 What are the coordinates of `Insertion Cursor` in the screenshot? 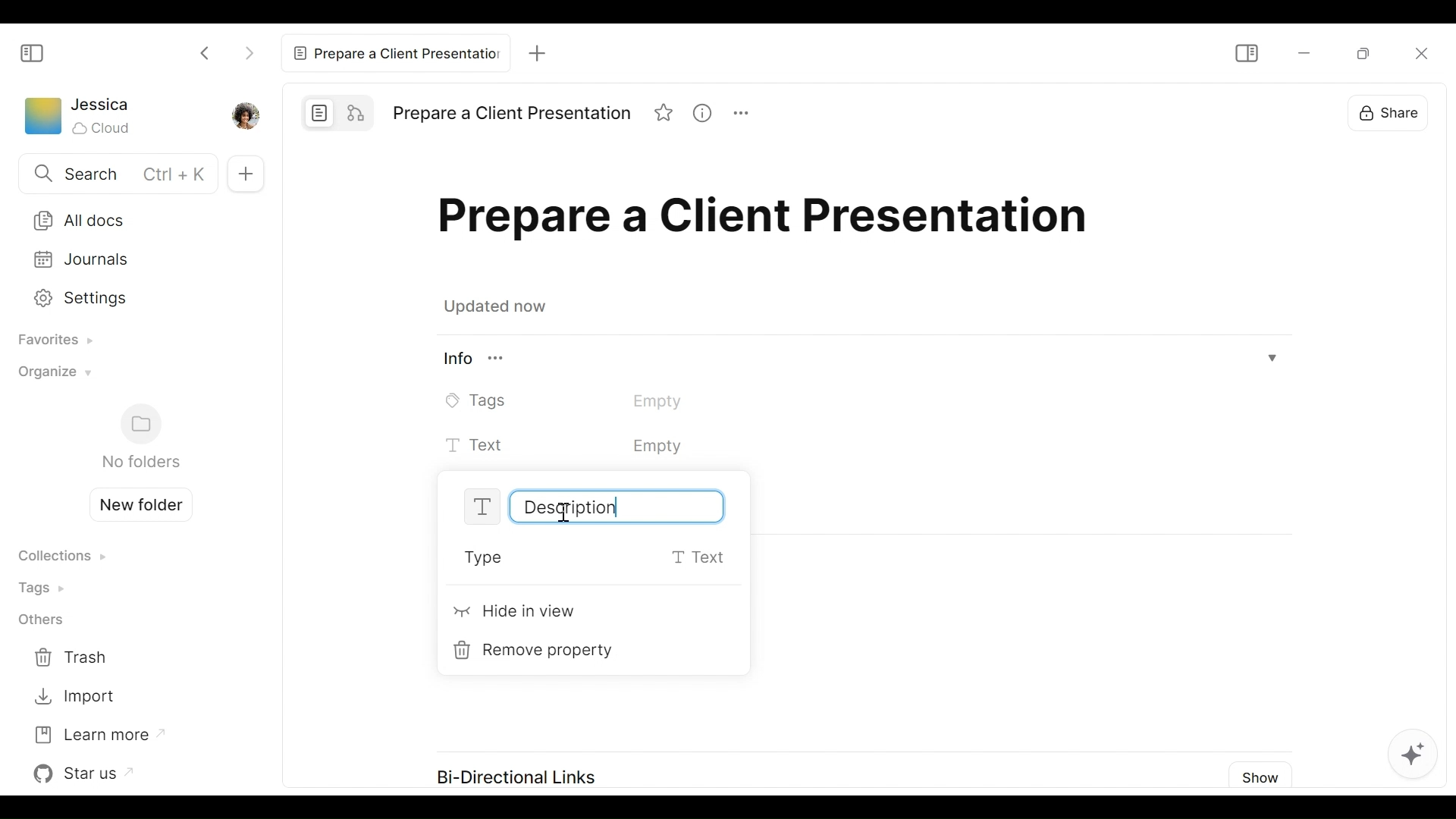 It's located at (563, 513).